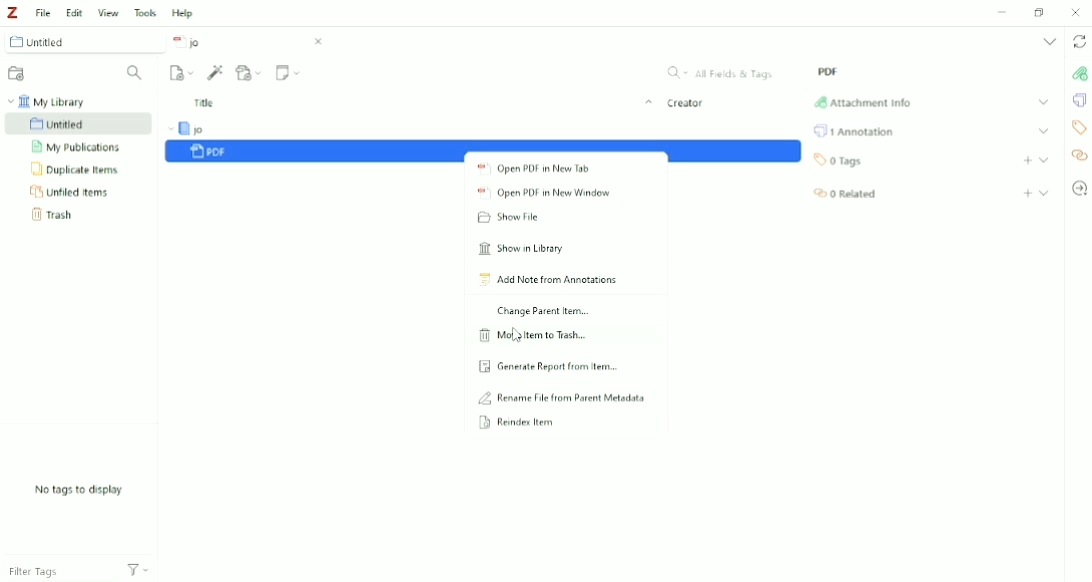 The image size is (1092, 582). Describe the element at coordinates (1079, 42) in the screenshot. I see `Sync` at that location.